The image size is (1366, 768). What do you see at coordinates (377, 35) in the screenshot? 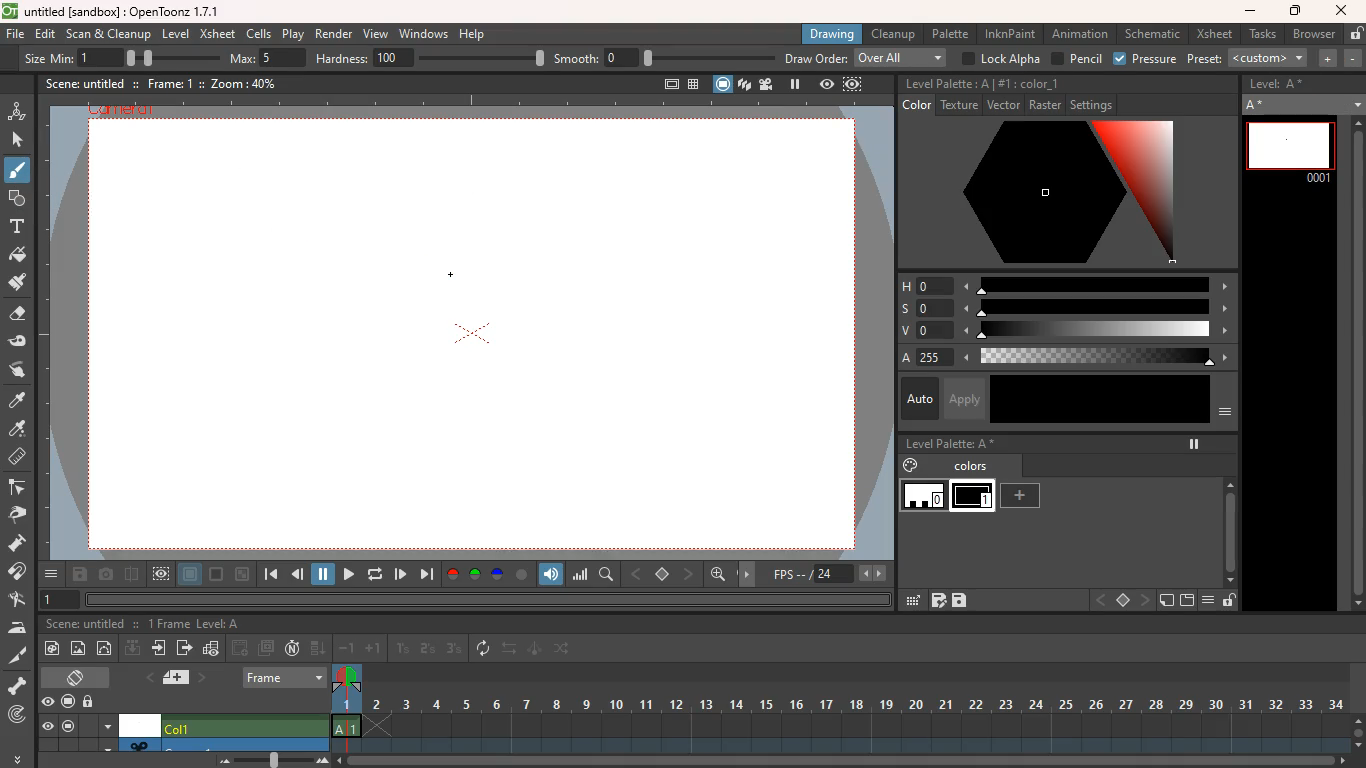
I see `view` at bounding box center [377, 35].